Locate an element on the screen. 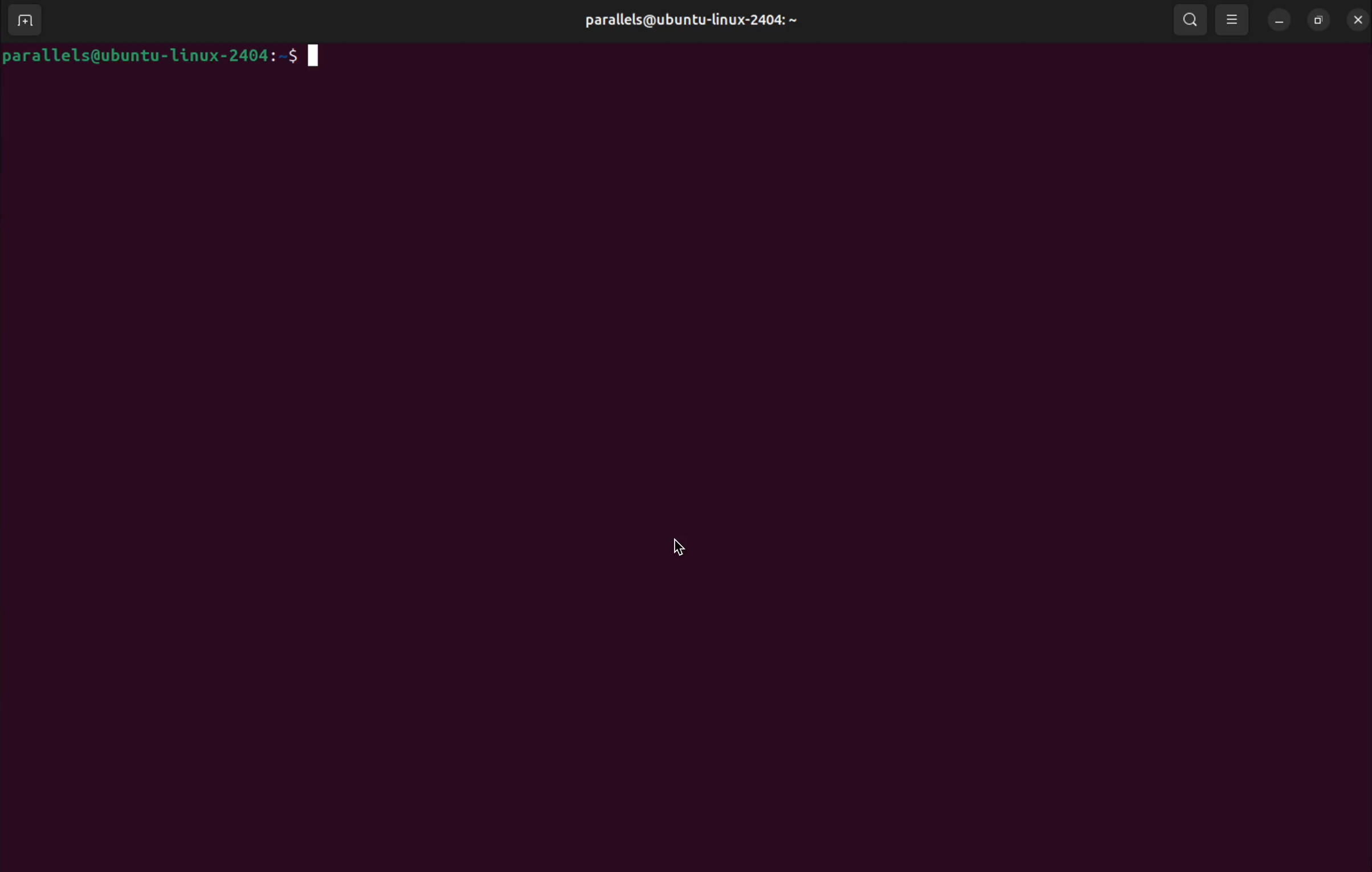  bash prompts is located at coordinates (169, 57).